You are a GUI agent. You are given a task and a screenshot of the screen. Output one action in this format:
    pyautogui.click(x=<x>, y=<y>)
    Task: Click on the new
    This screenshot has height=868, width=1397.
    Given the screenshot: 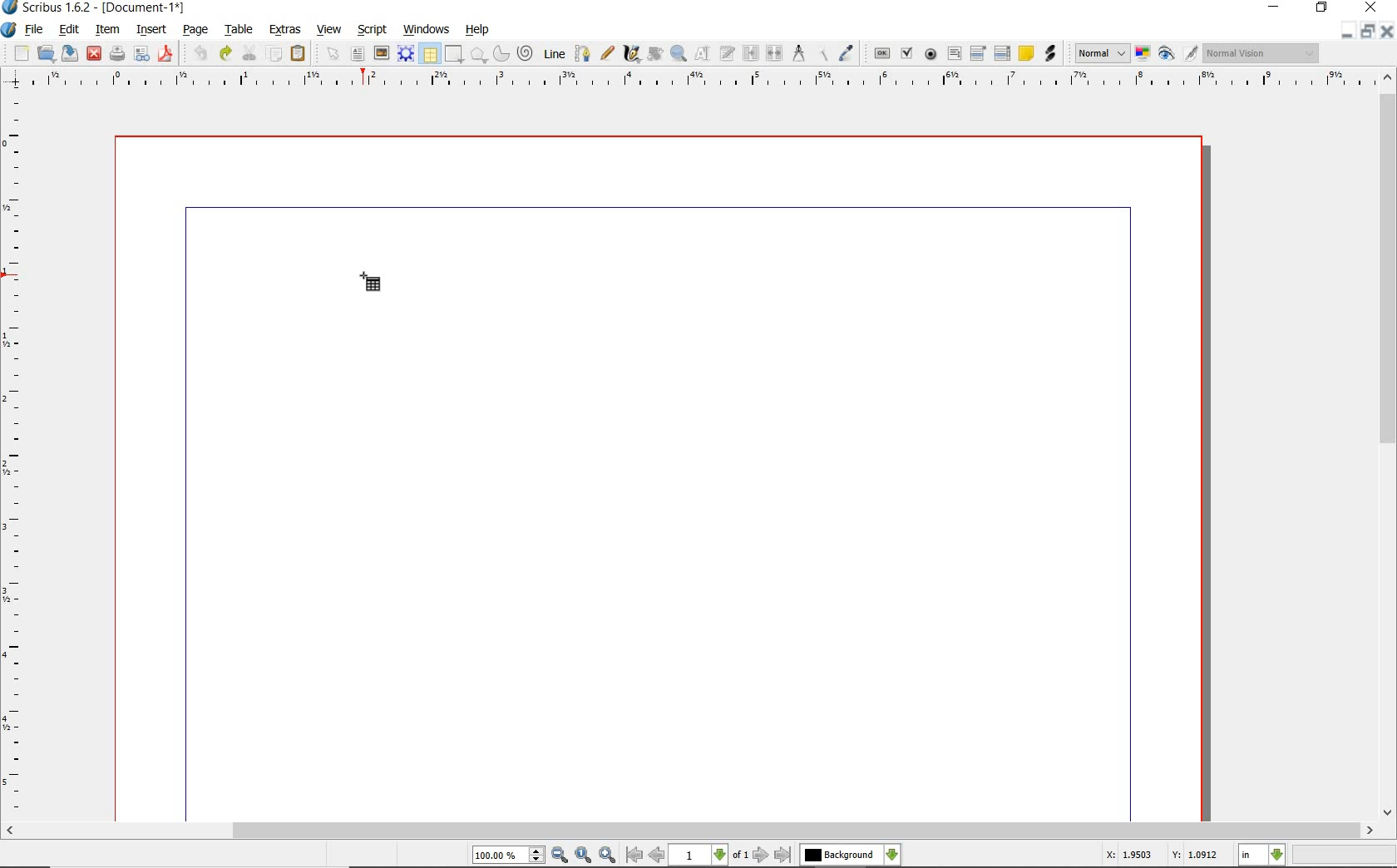 What is the action you would take?
    pyautogui.click(x=22, y=55)
    